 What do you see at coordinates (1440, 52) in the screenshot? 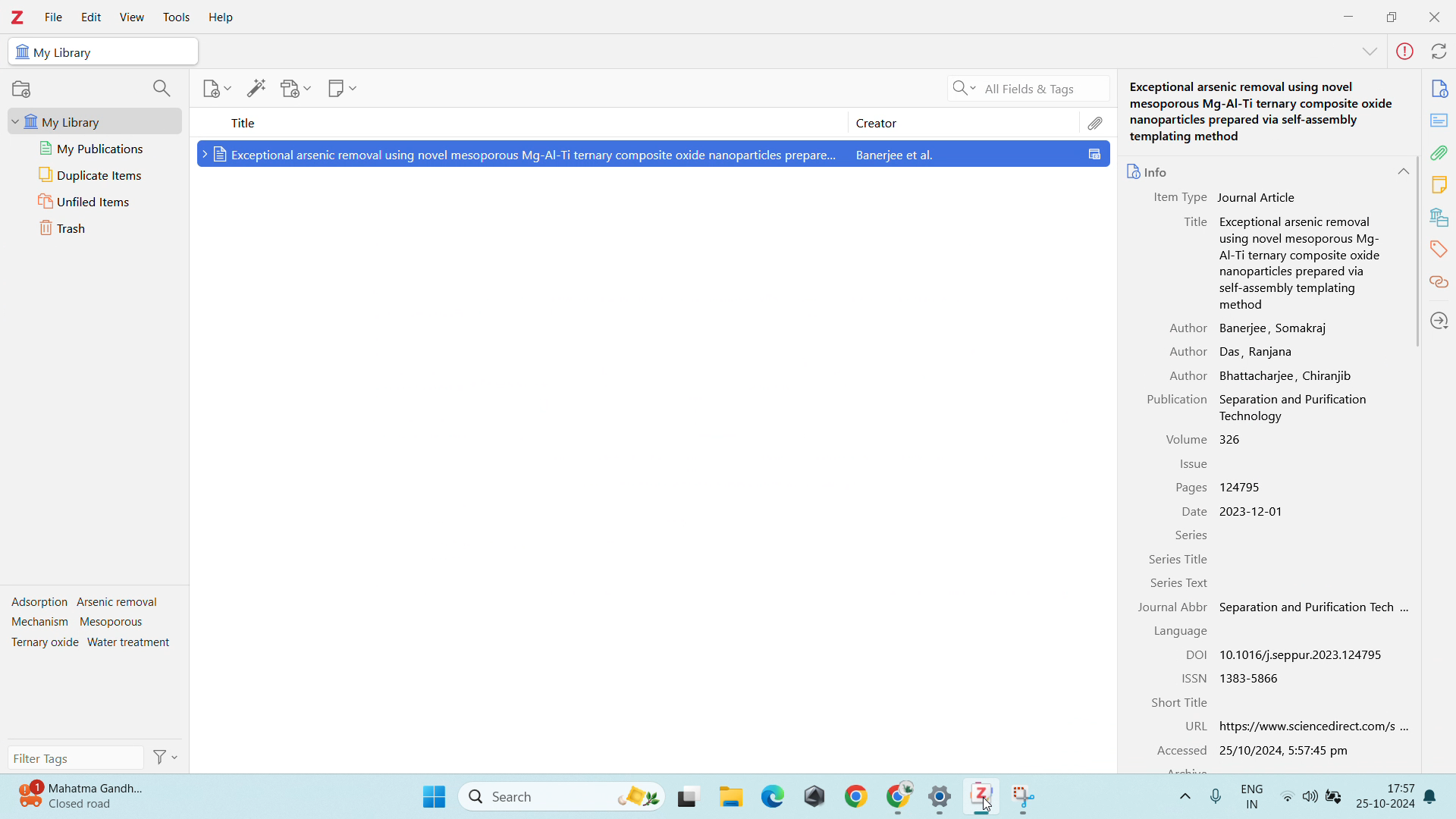
I see `sync with zotero.org` at bounding box center [1440, 52].